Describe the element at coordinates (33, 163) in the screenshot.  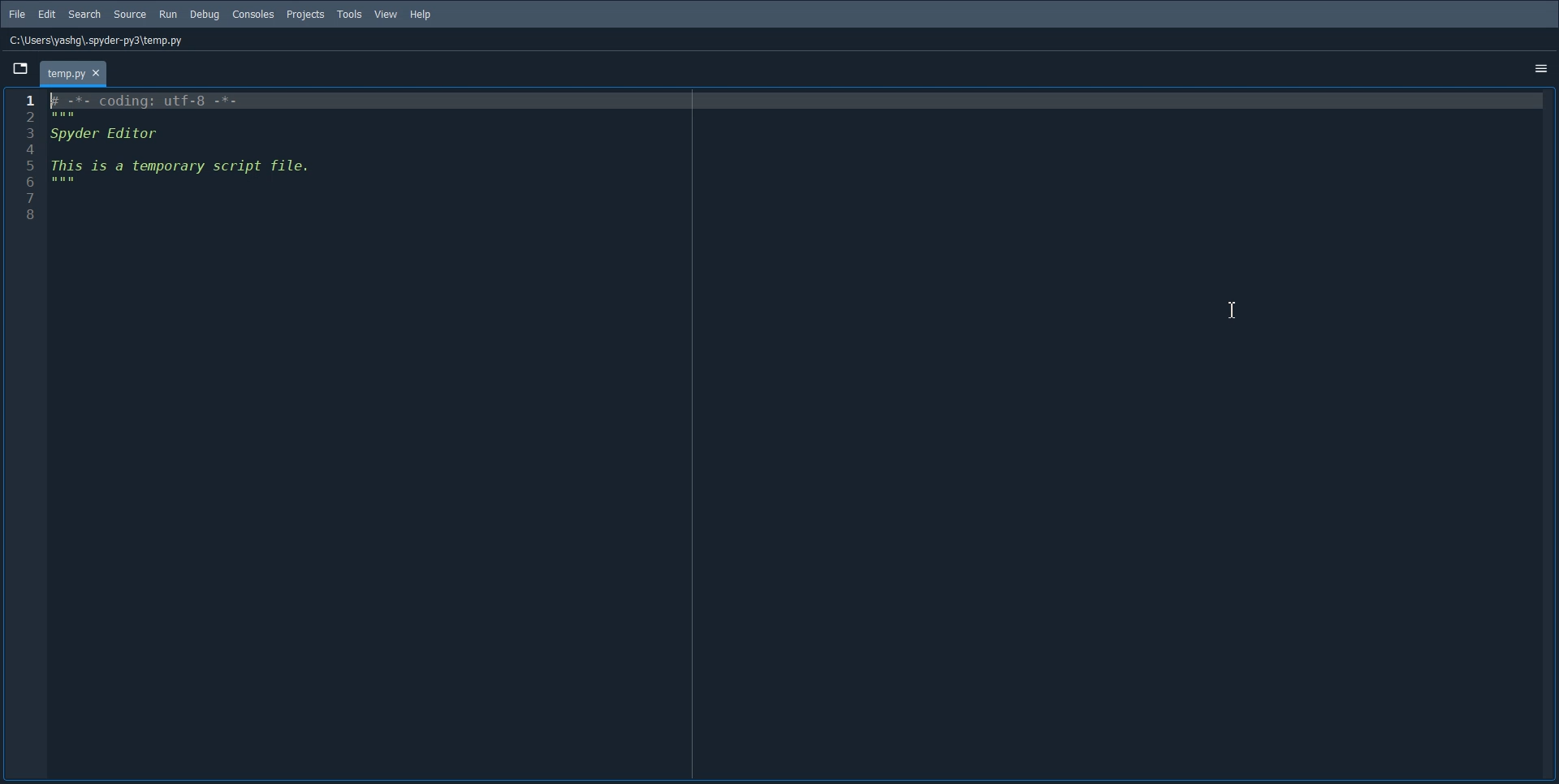
I see `Line number` at that location.